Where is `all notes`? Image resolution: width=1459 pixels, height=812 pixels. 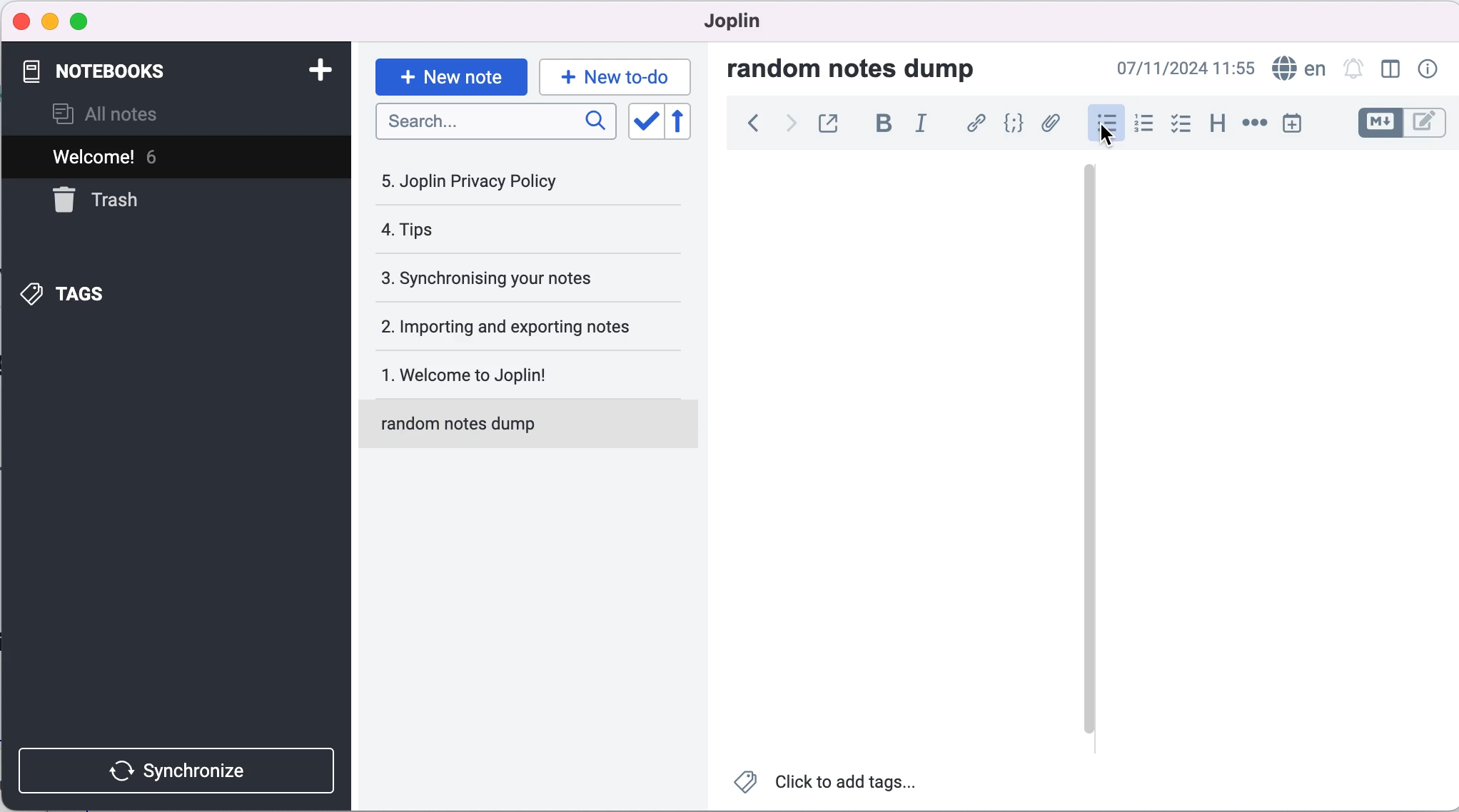
all notes is located at coordinates (128, 113).